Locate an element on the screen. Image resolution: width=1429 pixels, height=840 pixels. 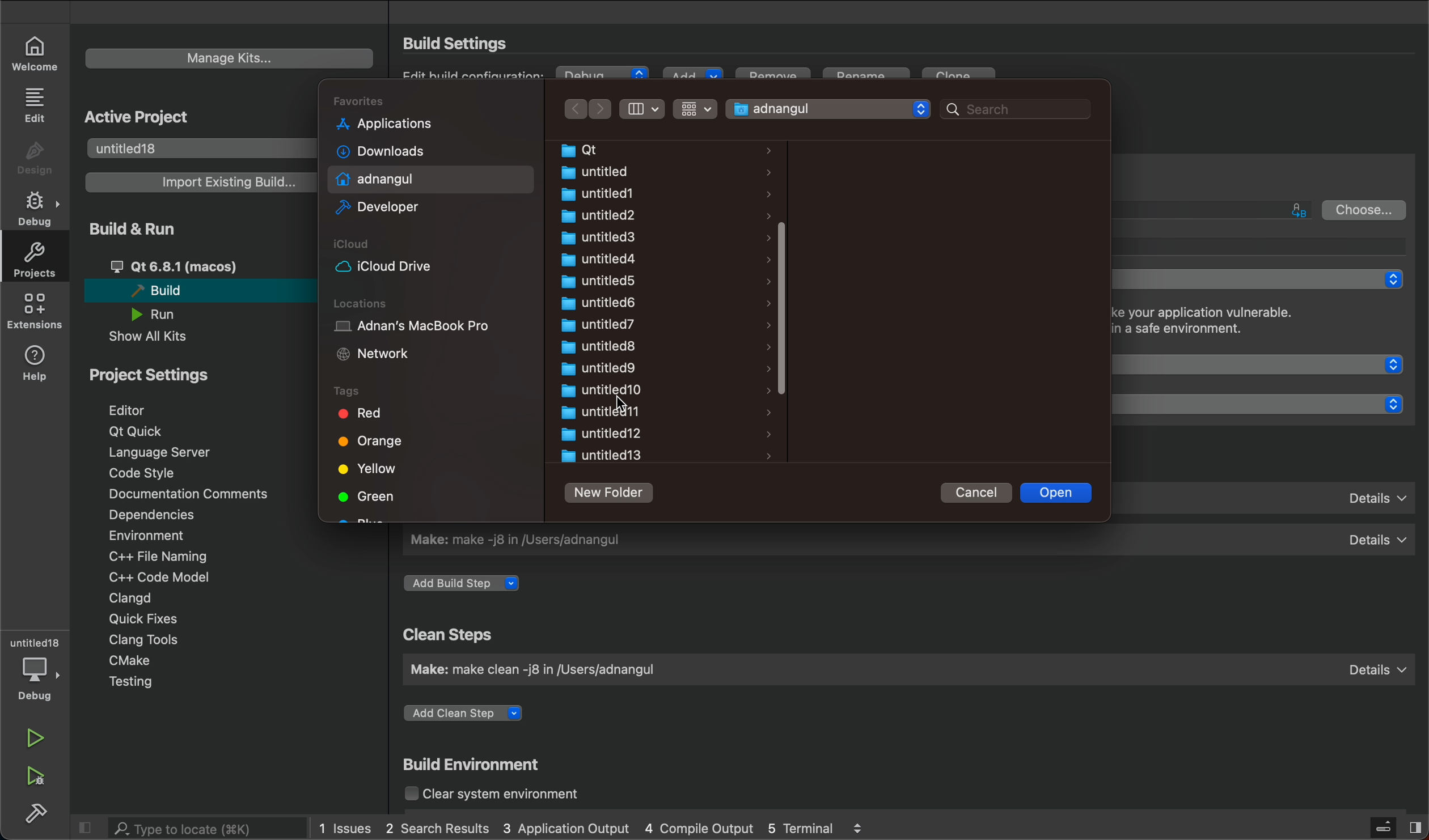
search is located at coordinates (1020, 109).